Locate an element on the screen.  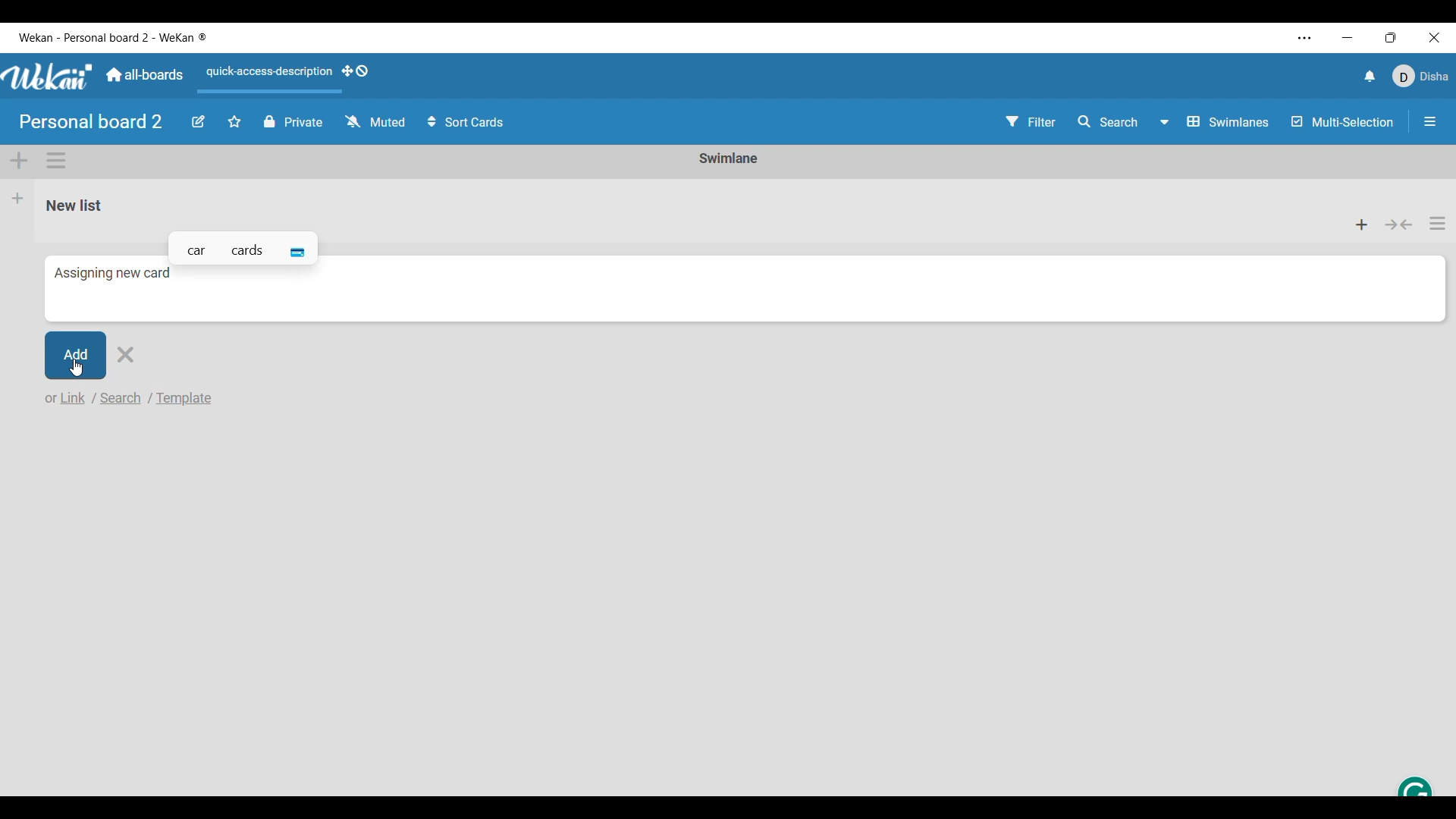
Edit is located at coordinates (199, 122).